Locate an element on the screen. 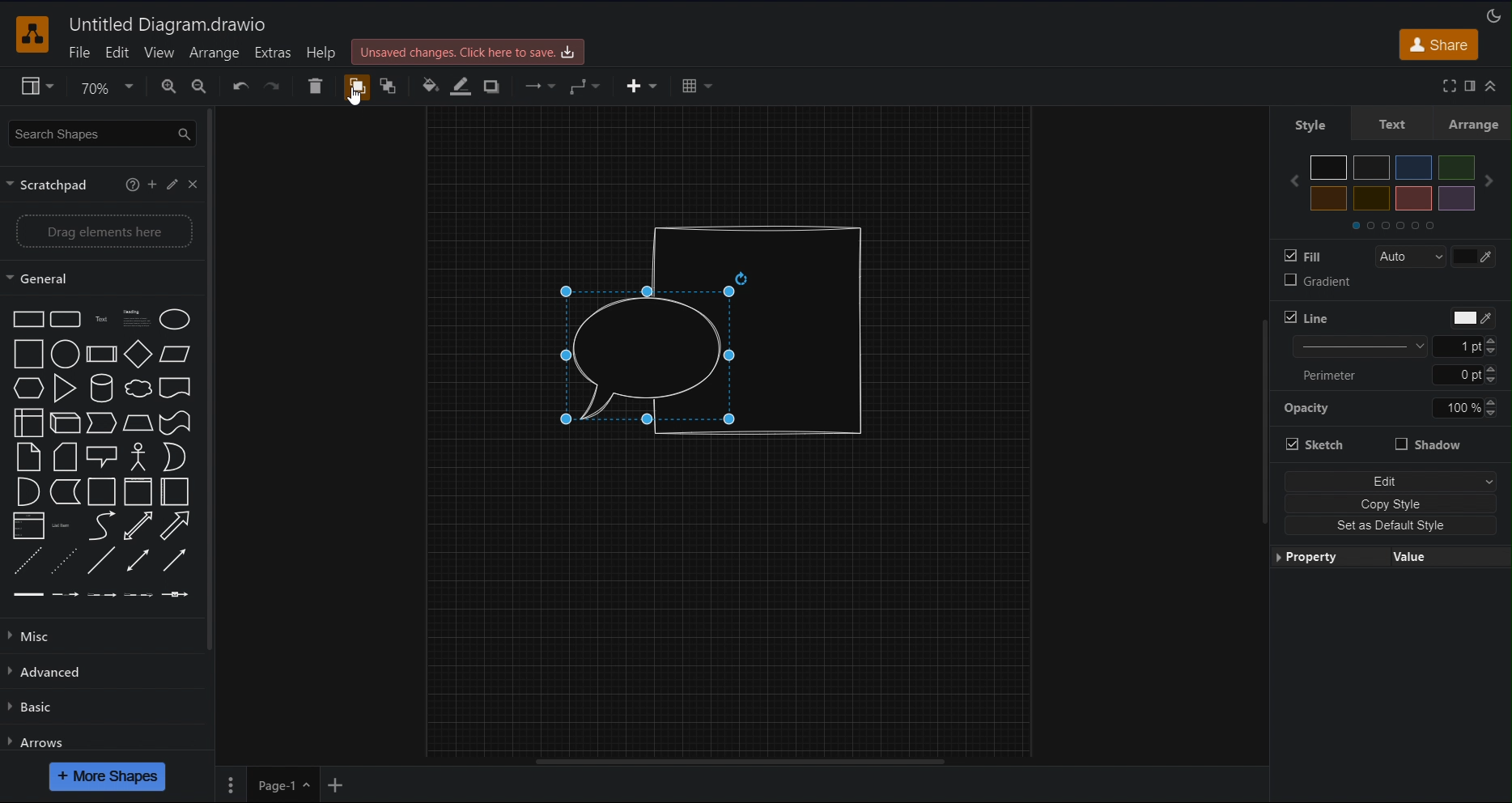 This screenshot has width=1512, height=803. Line Color is located at coordinates (461, 86).